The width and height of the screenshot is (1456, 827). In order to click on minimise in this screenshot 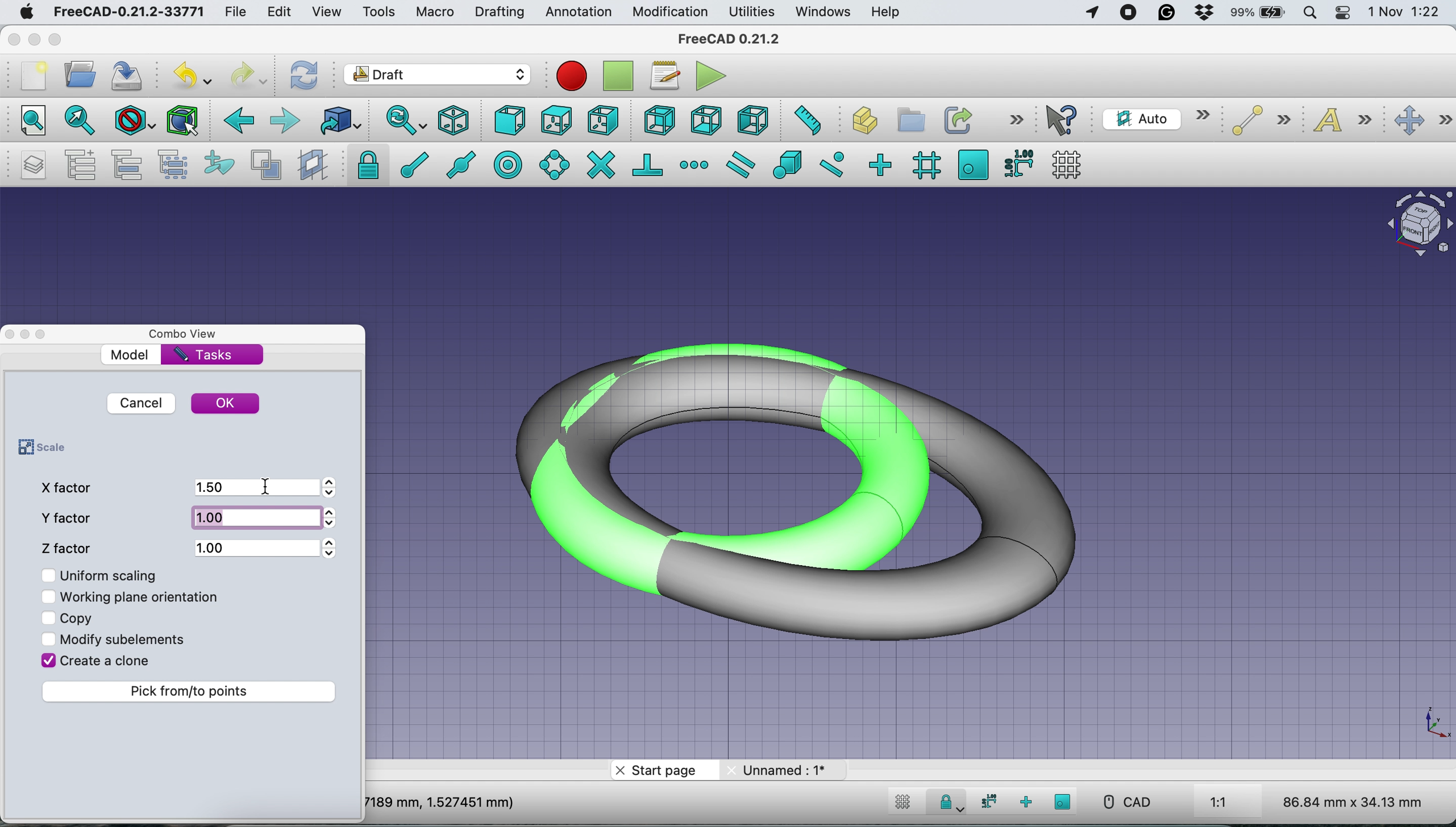, I will do `click(34, 36)`.